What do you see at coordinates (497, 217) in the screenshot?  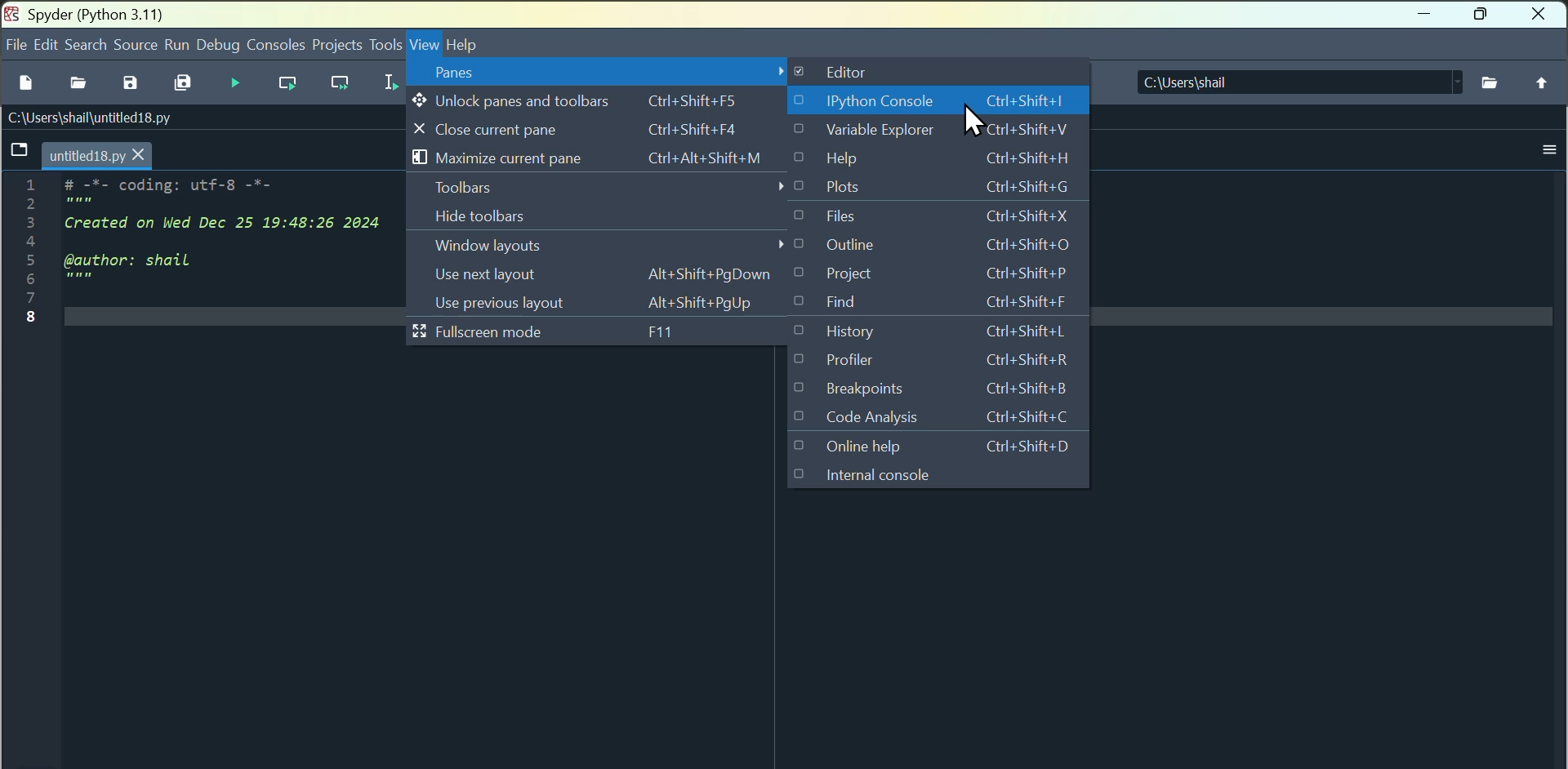 I see `Hide toolbars` at bounding box center [497, 217].